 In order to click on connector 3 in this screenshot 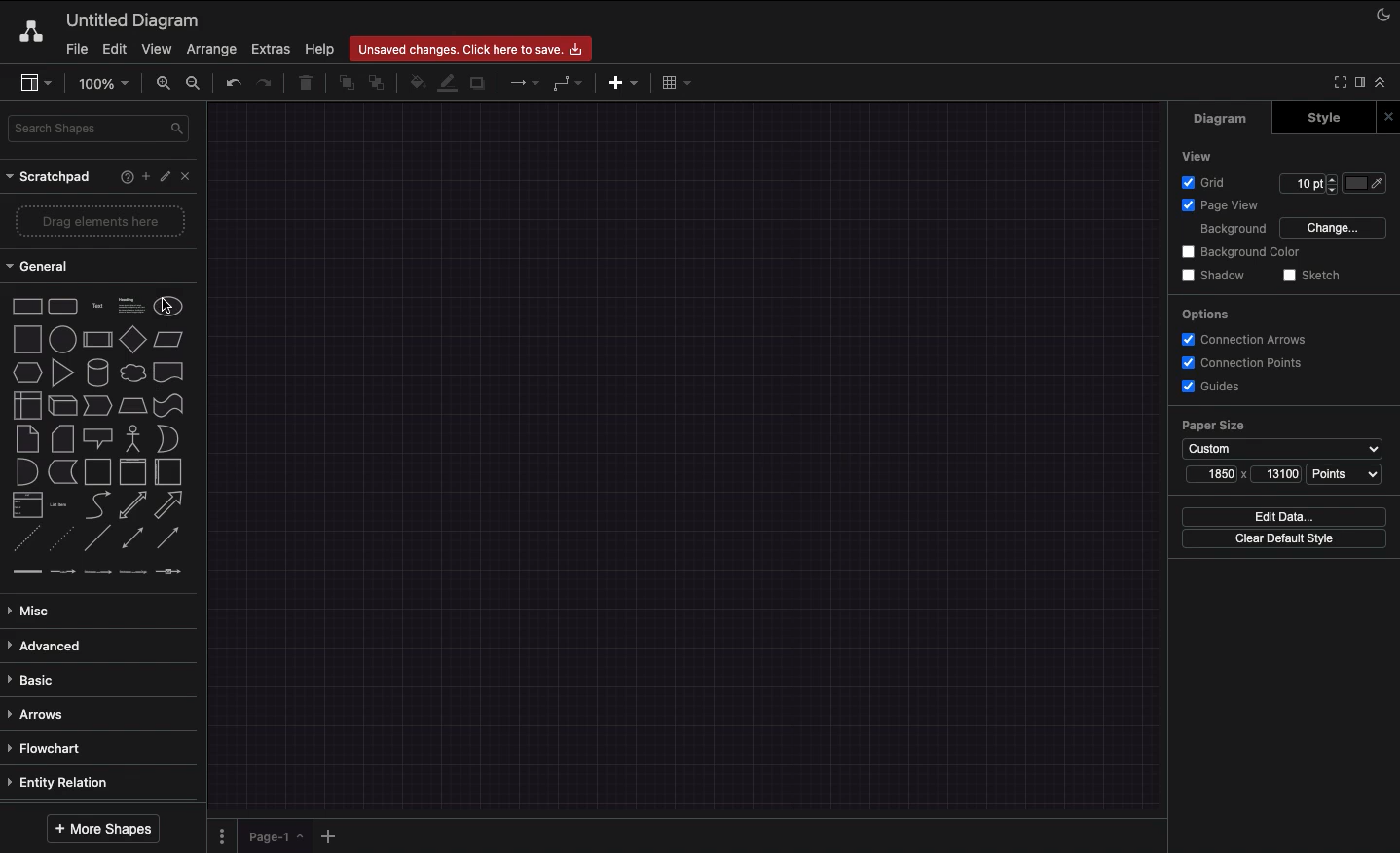, I will do `click(95, 571)`.